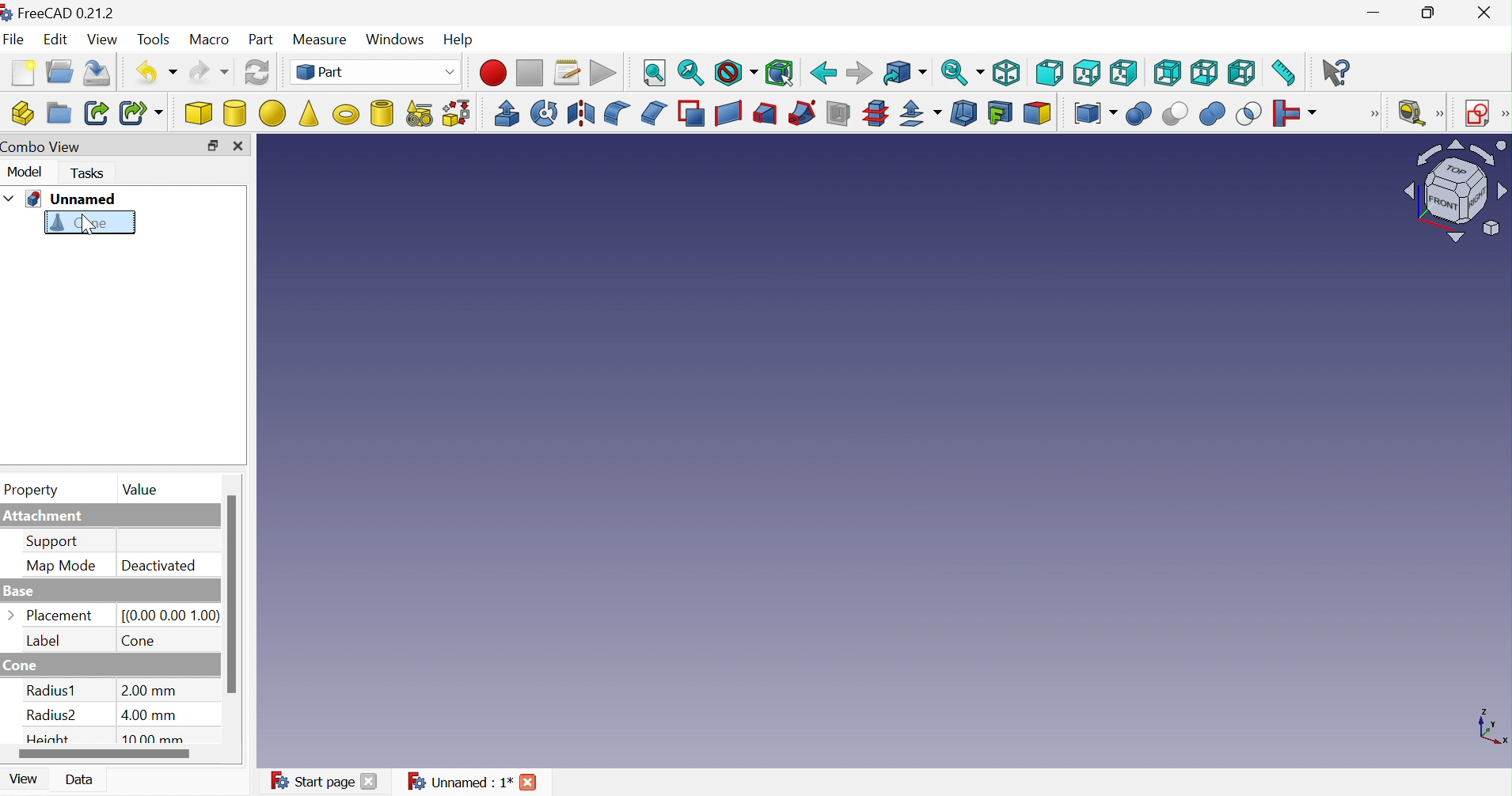  What do you see at coordinates (460, 112) in the screenshot?
I see `Shape builder` at bounding box center [460, 112].